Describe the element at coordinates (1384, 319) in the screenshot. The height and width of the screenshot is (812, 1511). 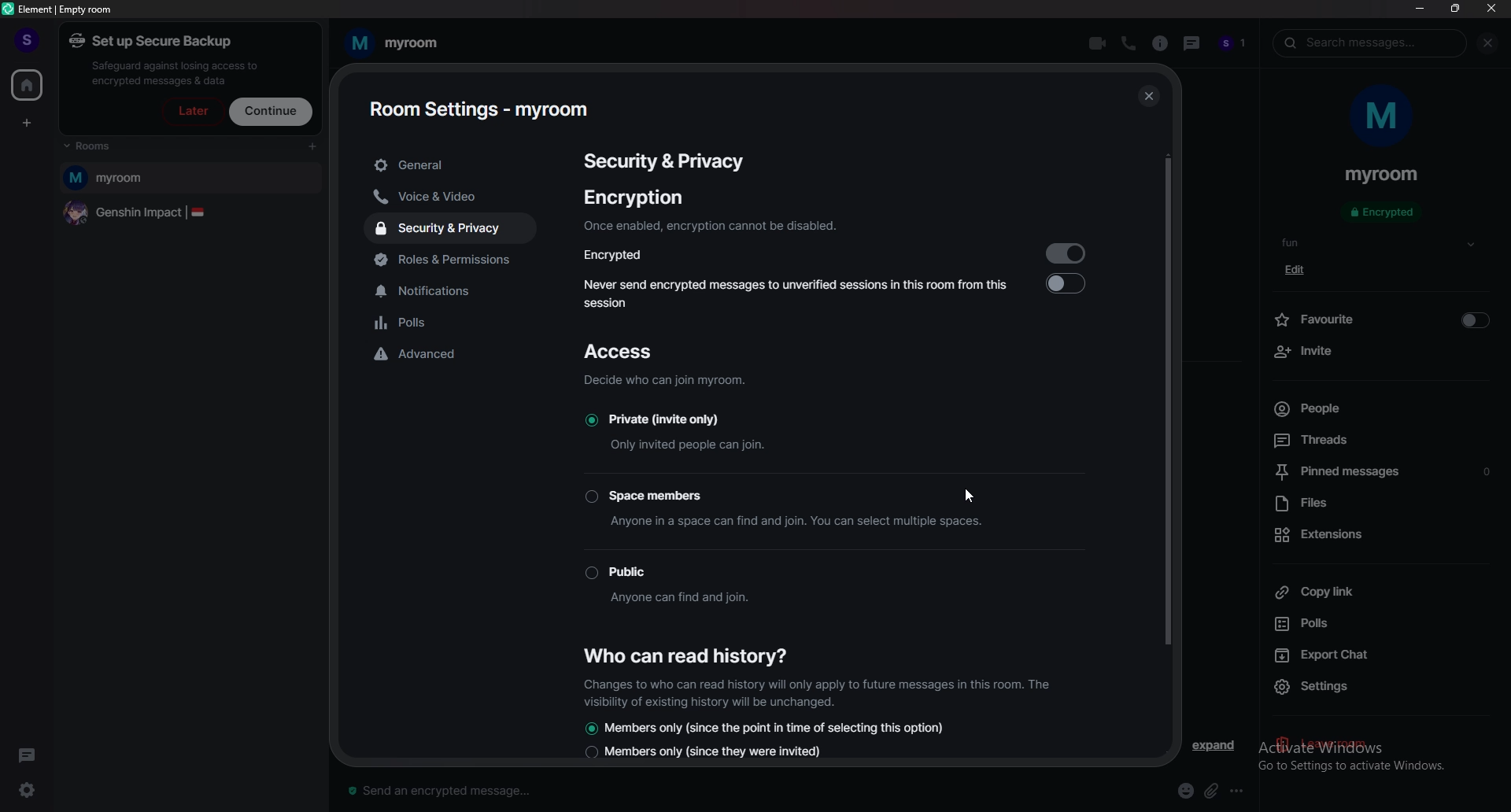
I see `favourite` at that location.